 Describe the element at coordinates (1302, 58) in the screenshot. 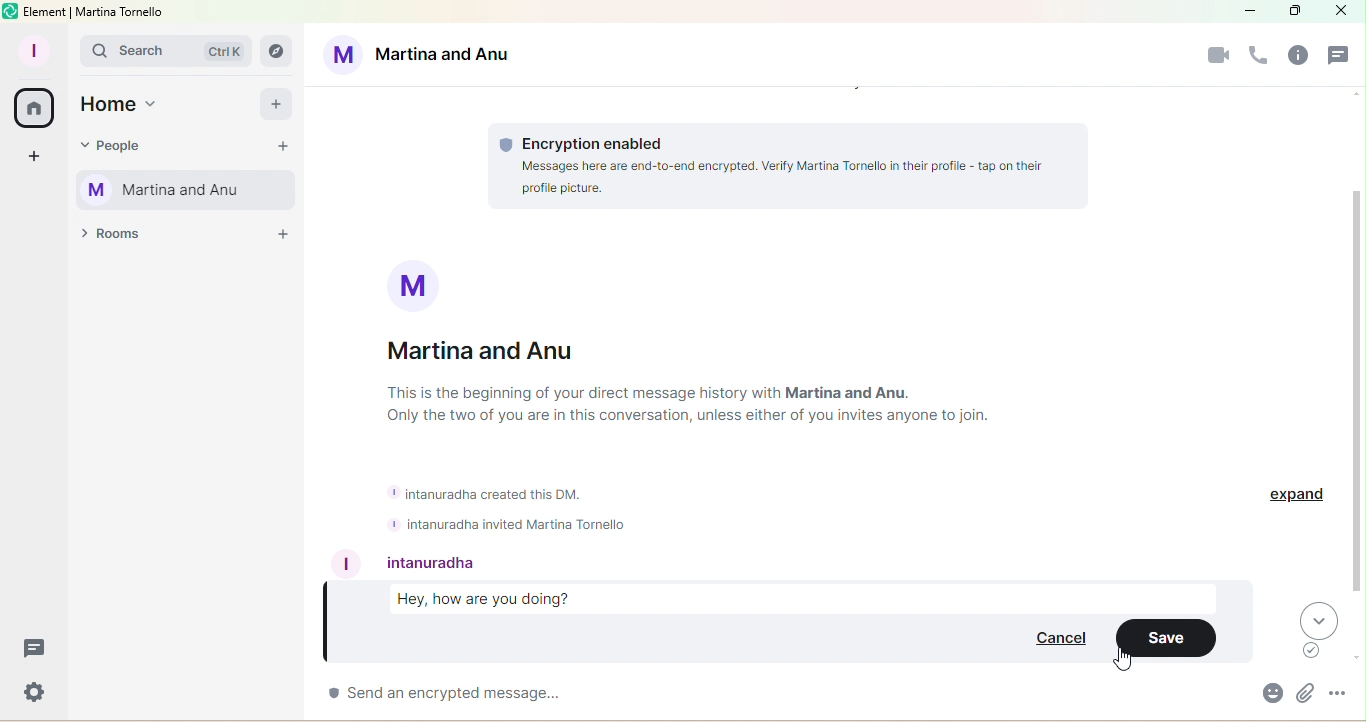

I see `Rooms info` at that location.